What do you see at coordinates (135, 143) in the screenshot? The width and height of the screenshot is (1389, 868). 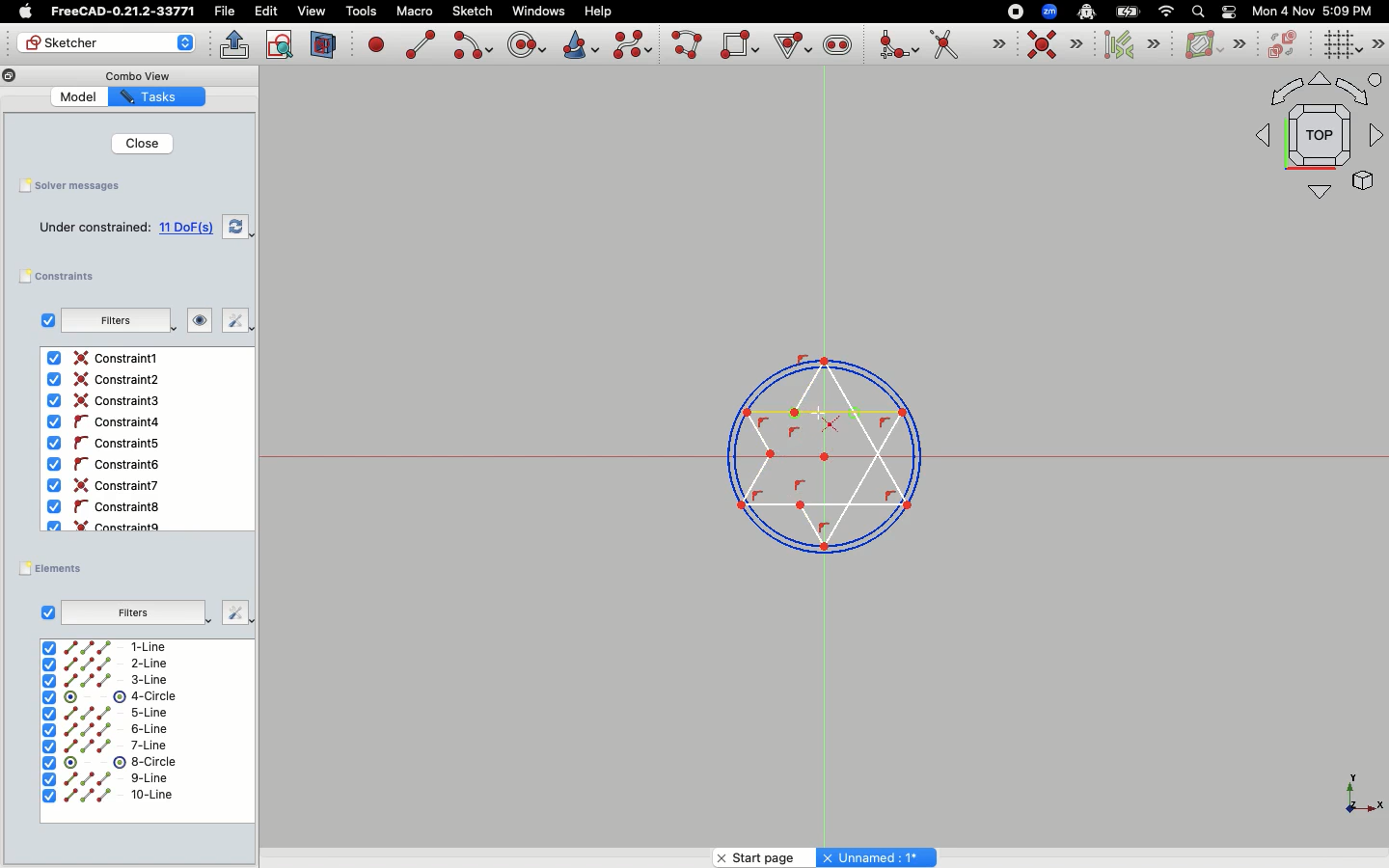 I see `Close` at bounding box center [135, 143].